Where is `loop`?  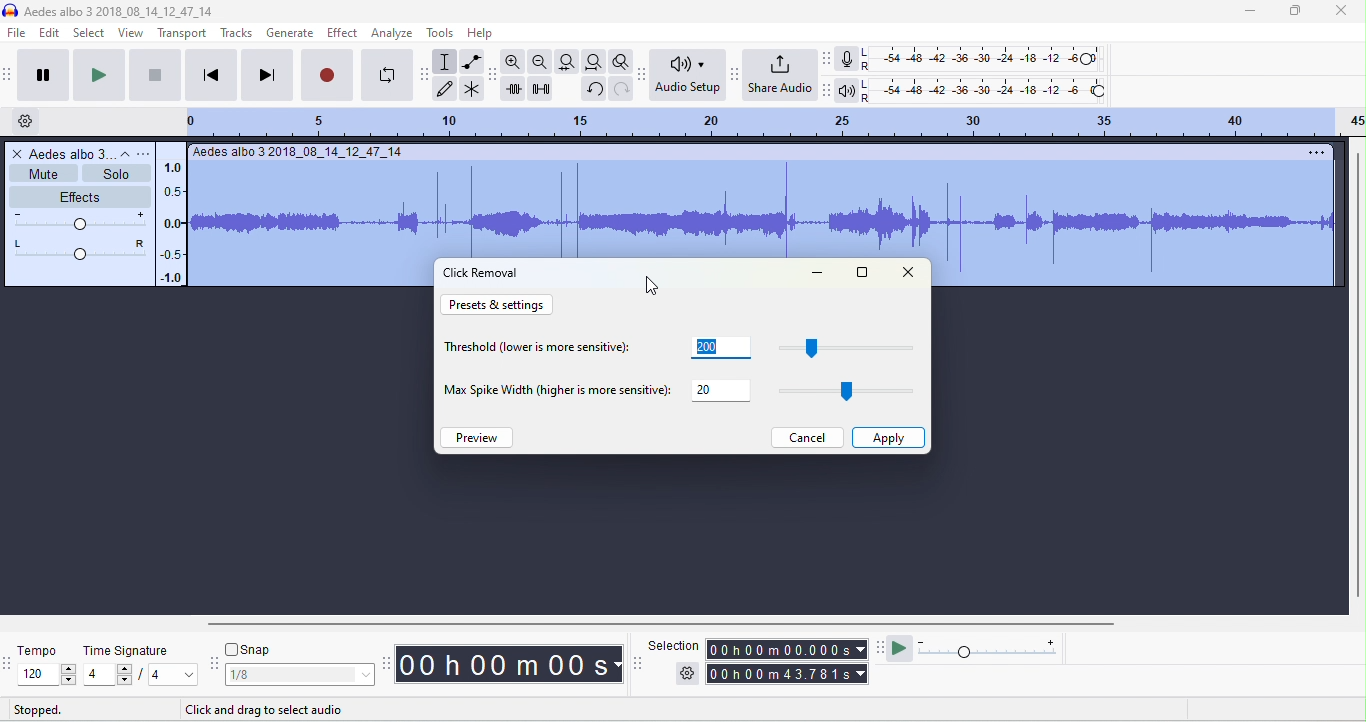
loop is located at coordinates (389, 73).